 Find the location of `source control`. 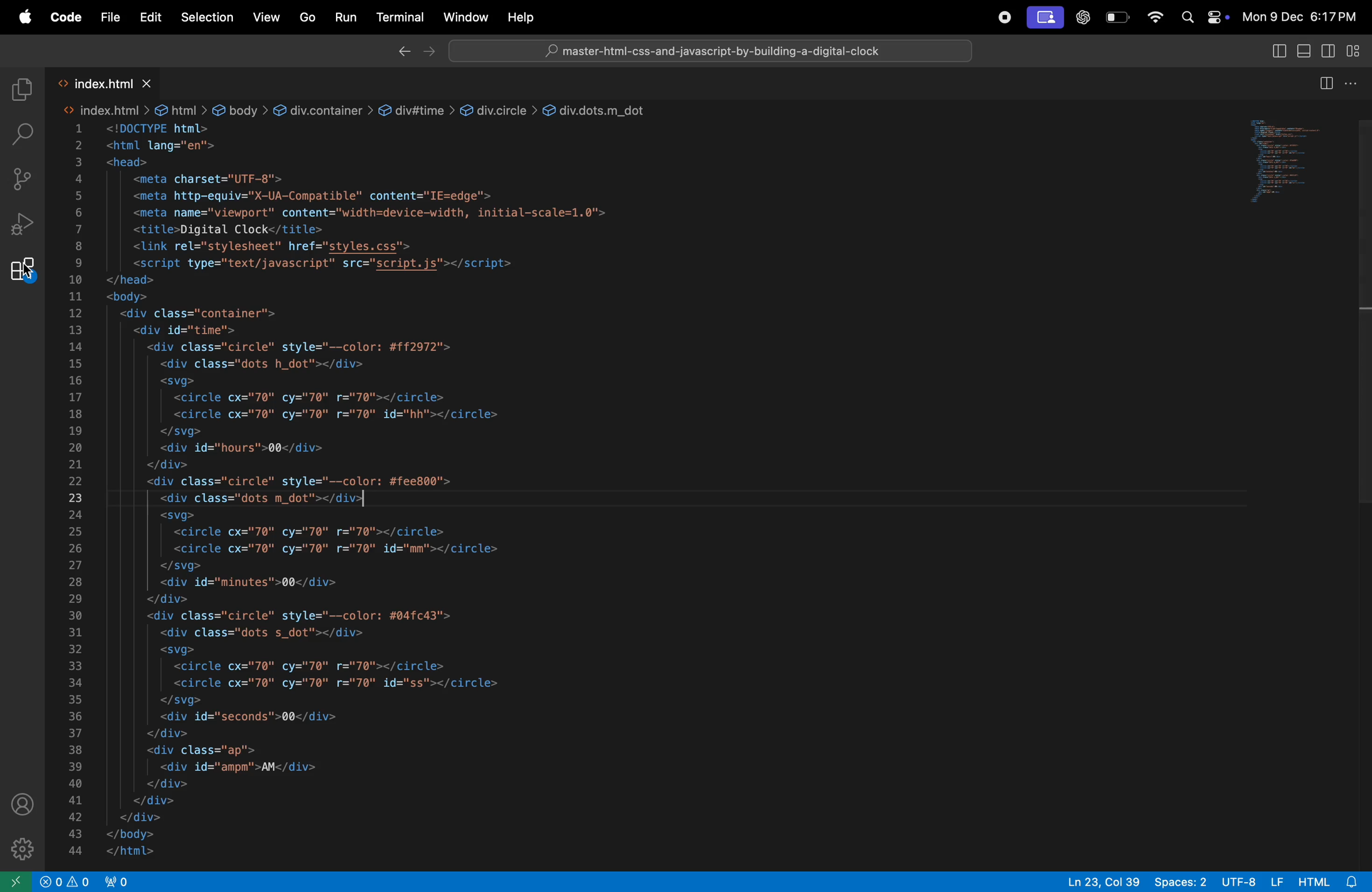

source control is located at coordinates (21, 179).